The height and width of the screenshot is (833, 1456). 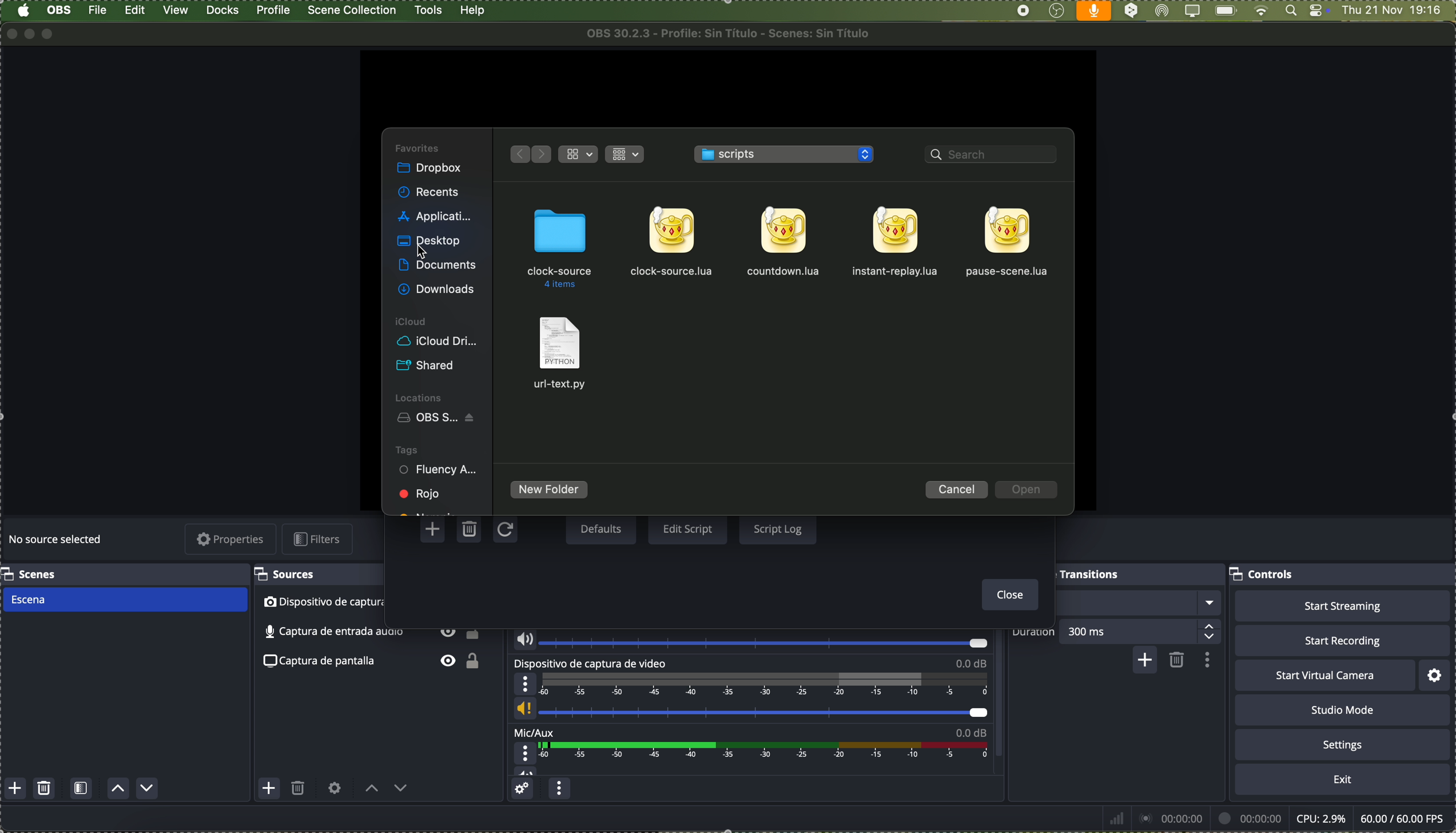 I want to click on screen, so click(x=1191, y=11).